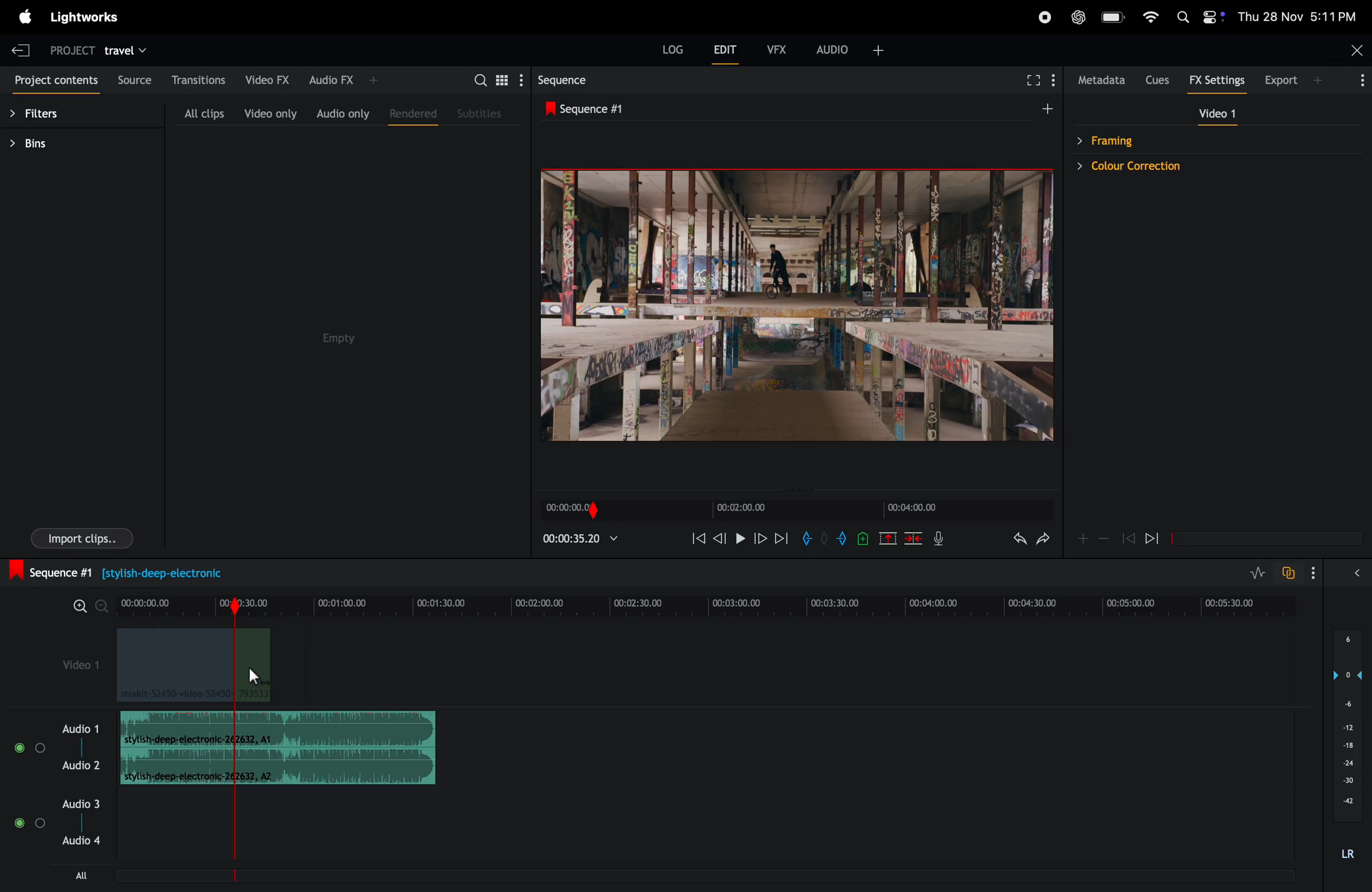 The height and width of the screenshot is (892, 1372). Describe the element at coordinates (1158, 538) in the screenshot. I see `forward` at that location.